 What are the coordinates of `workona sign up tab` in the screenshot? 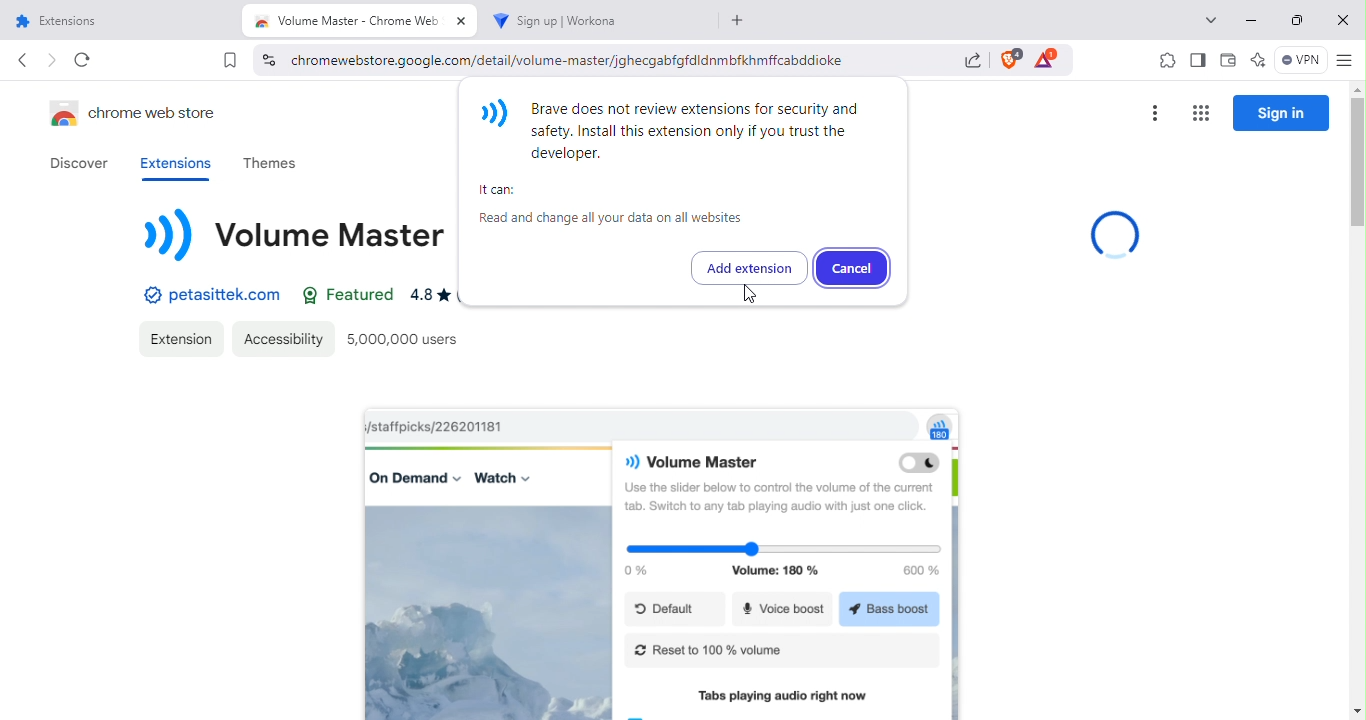 It's located at (597, 20).